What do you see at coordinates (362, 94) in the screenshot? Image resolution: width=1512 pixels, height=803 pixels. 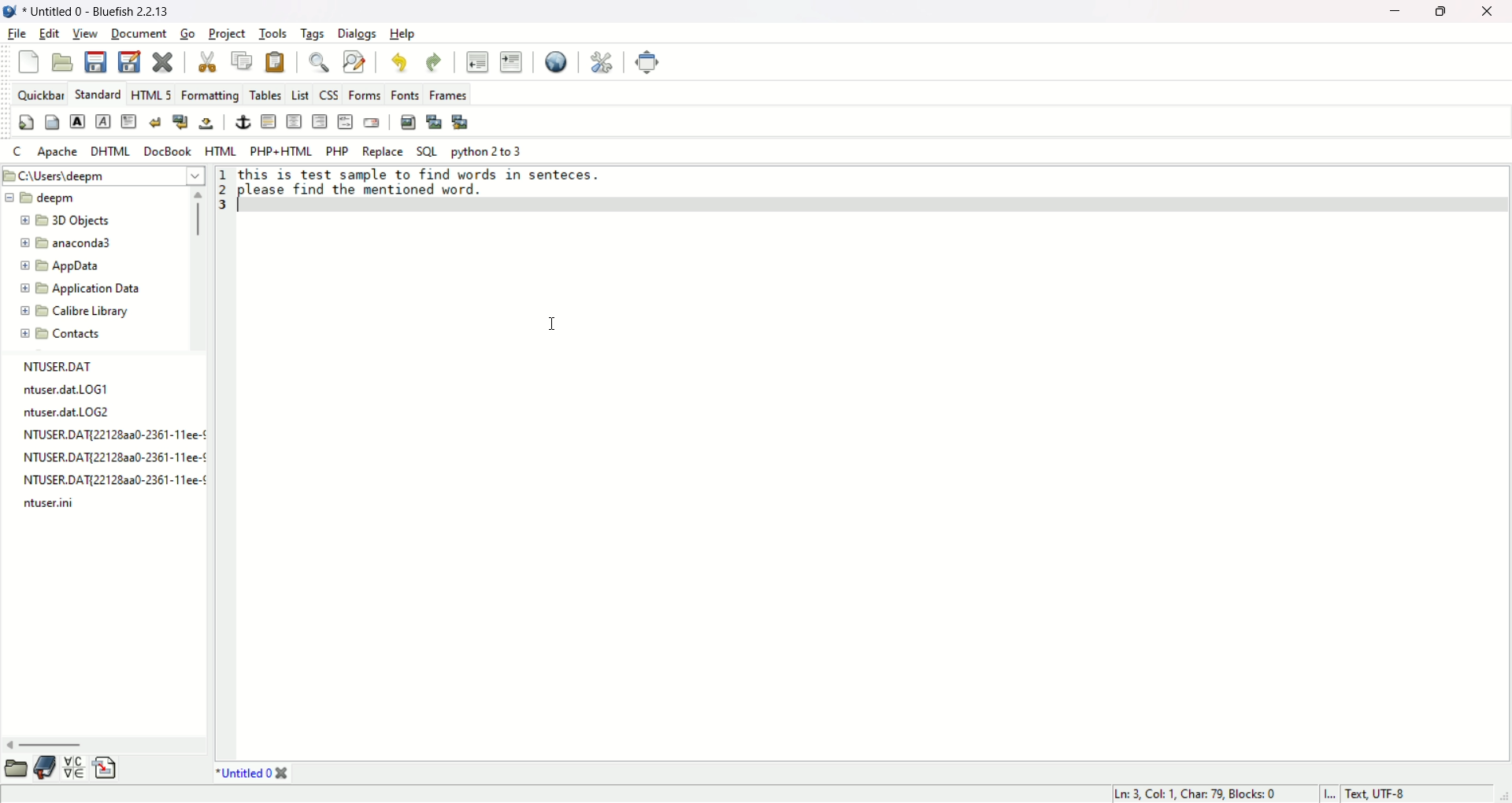 I see `forms` at bounding box center [362, 94].